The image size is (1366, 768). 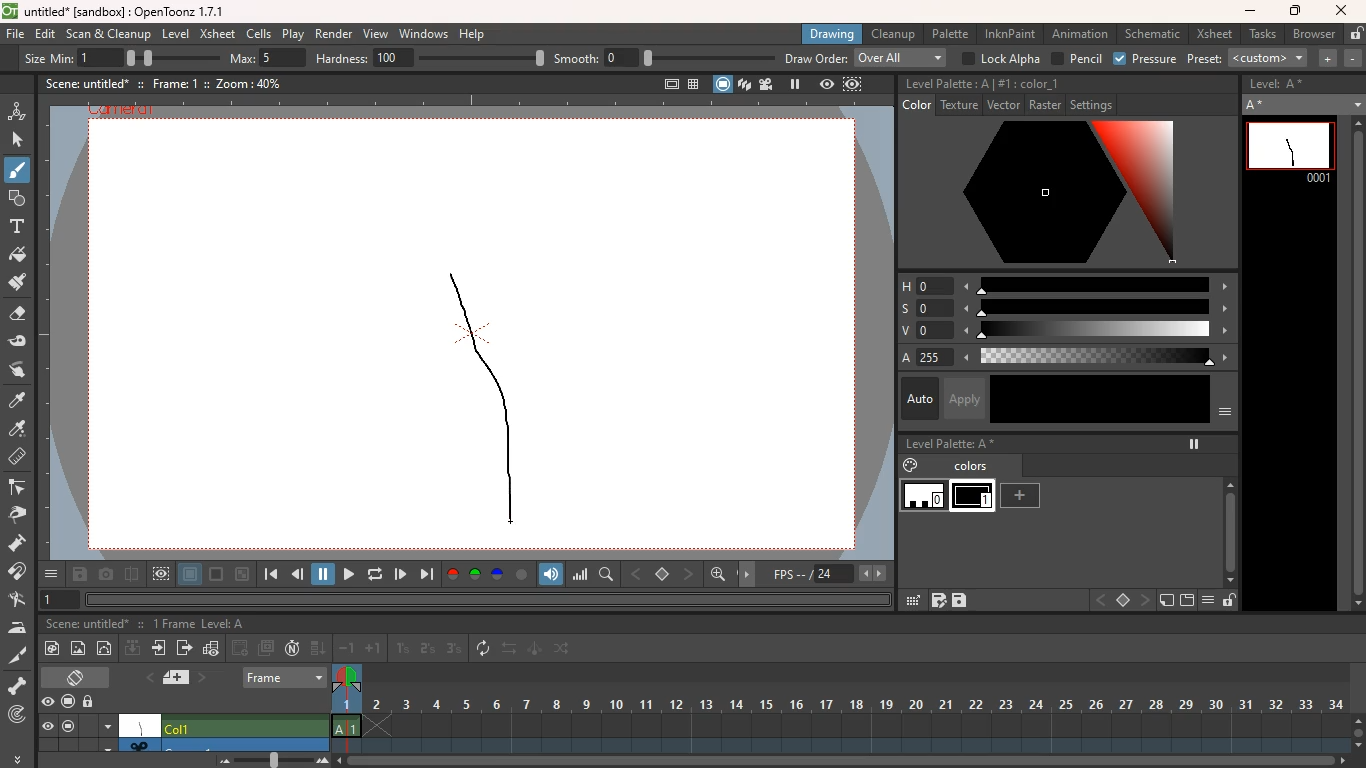 I want to click on erase, so click(x=19, y=318).